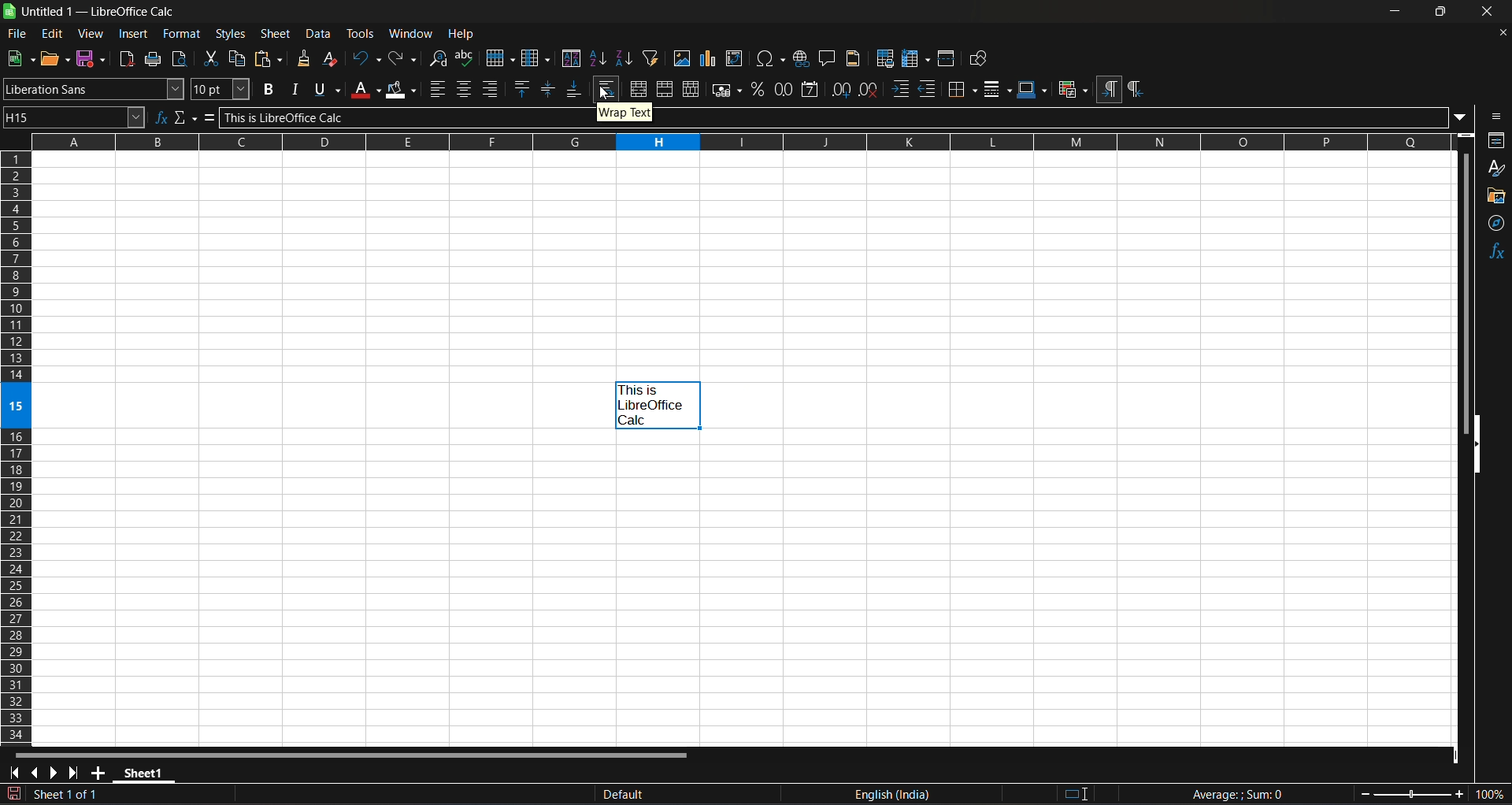 The height and width of the screenshot is (805, 1512). Describe the element at coordinates (135, 34) in the screenshot. I see `insert` at that location.